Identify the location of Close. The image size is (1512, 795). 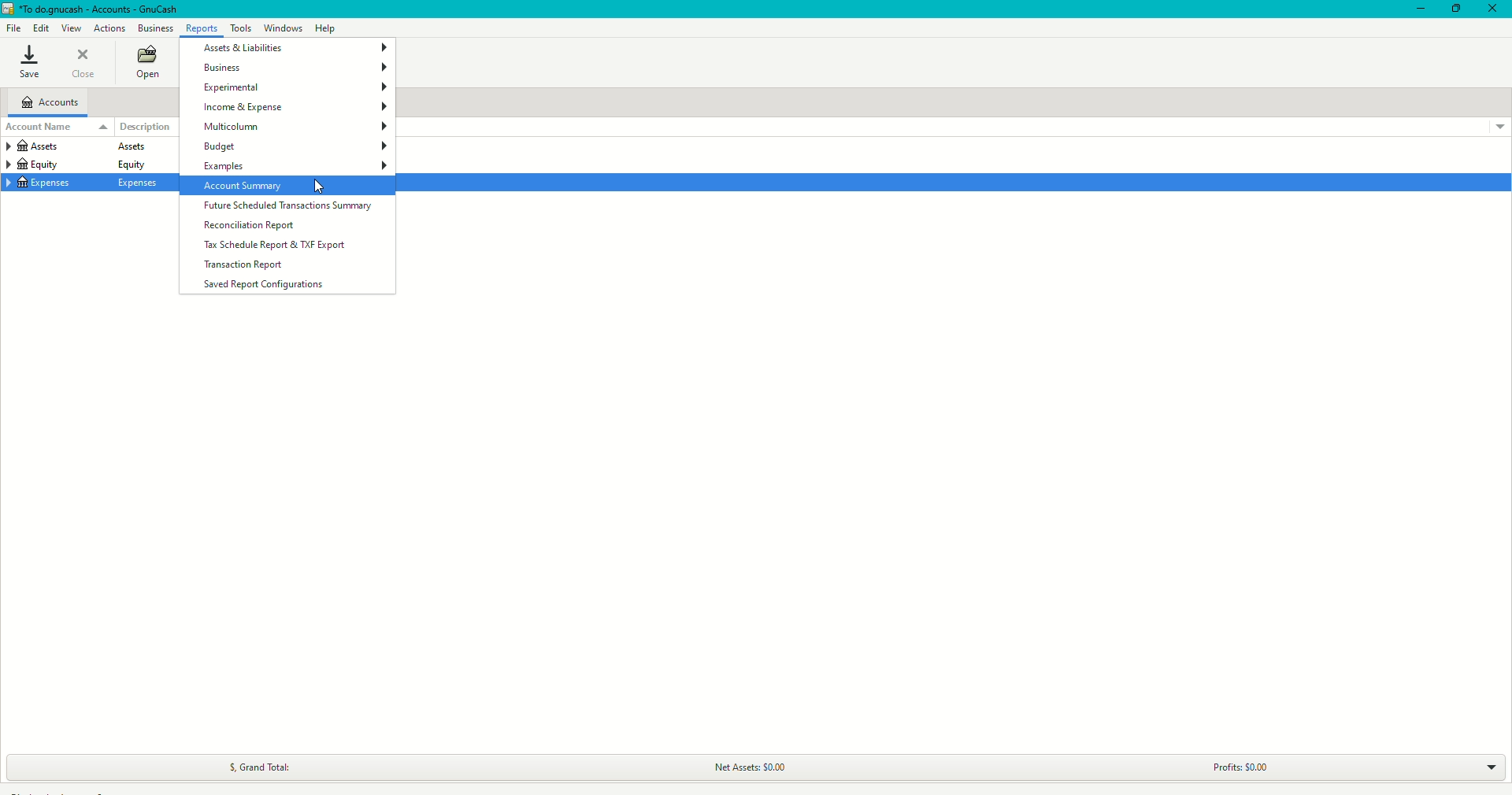
(1493, 10).